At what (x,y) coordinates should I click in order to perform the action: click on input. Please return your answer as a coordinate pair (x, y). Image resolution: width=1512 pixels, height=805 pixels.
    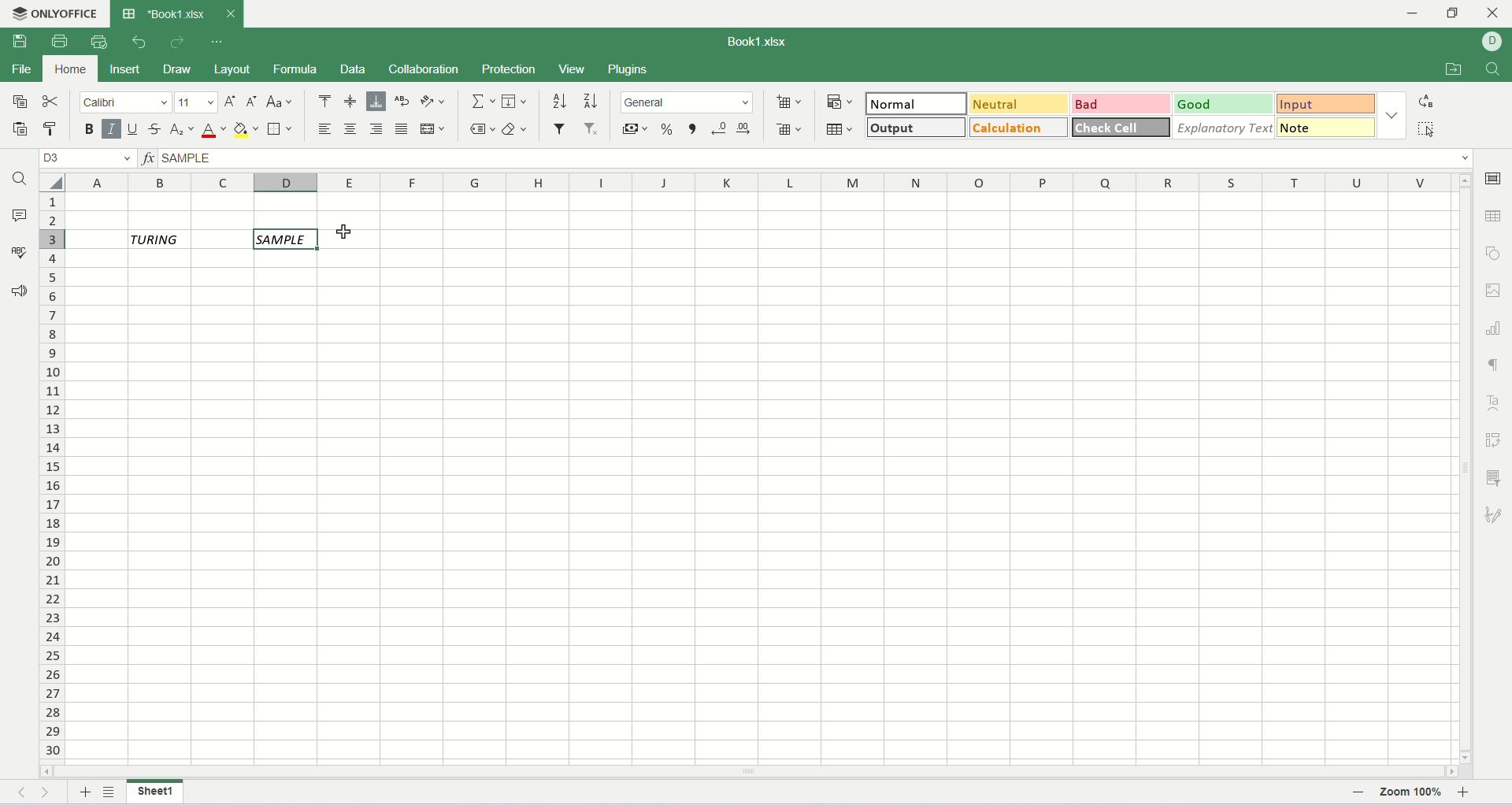
    Looking at the image, I should click on (1329, 104).